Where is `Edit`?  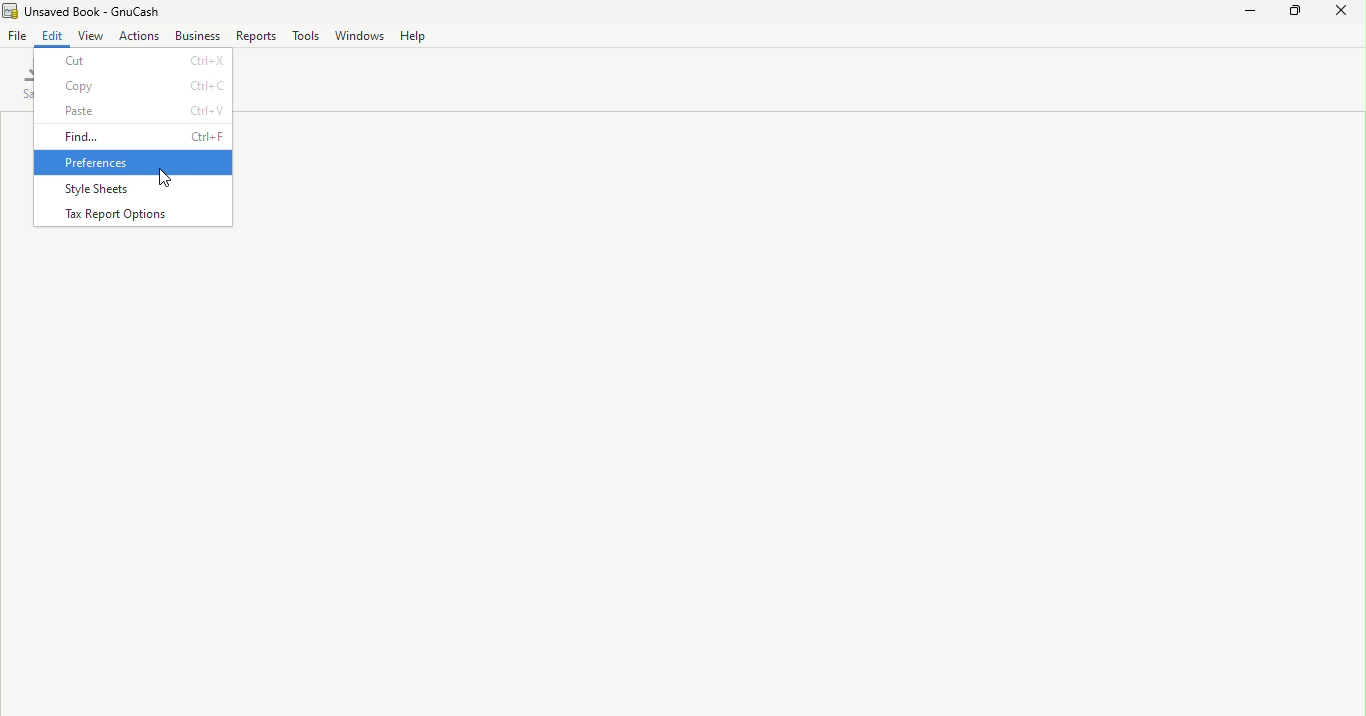
Edit is located at coordinates (54, 35).